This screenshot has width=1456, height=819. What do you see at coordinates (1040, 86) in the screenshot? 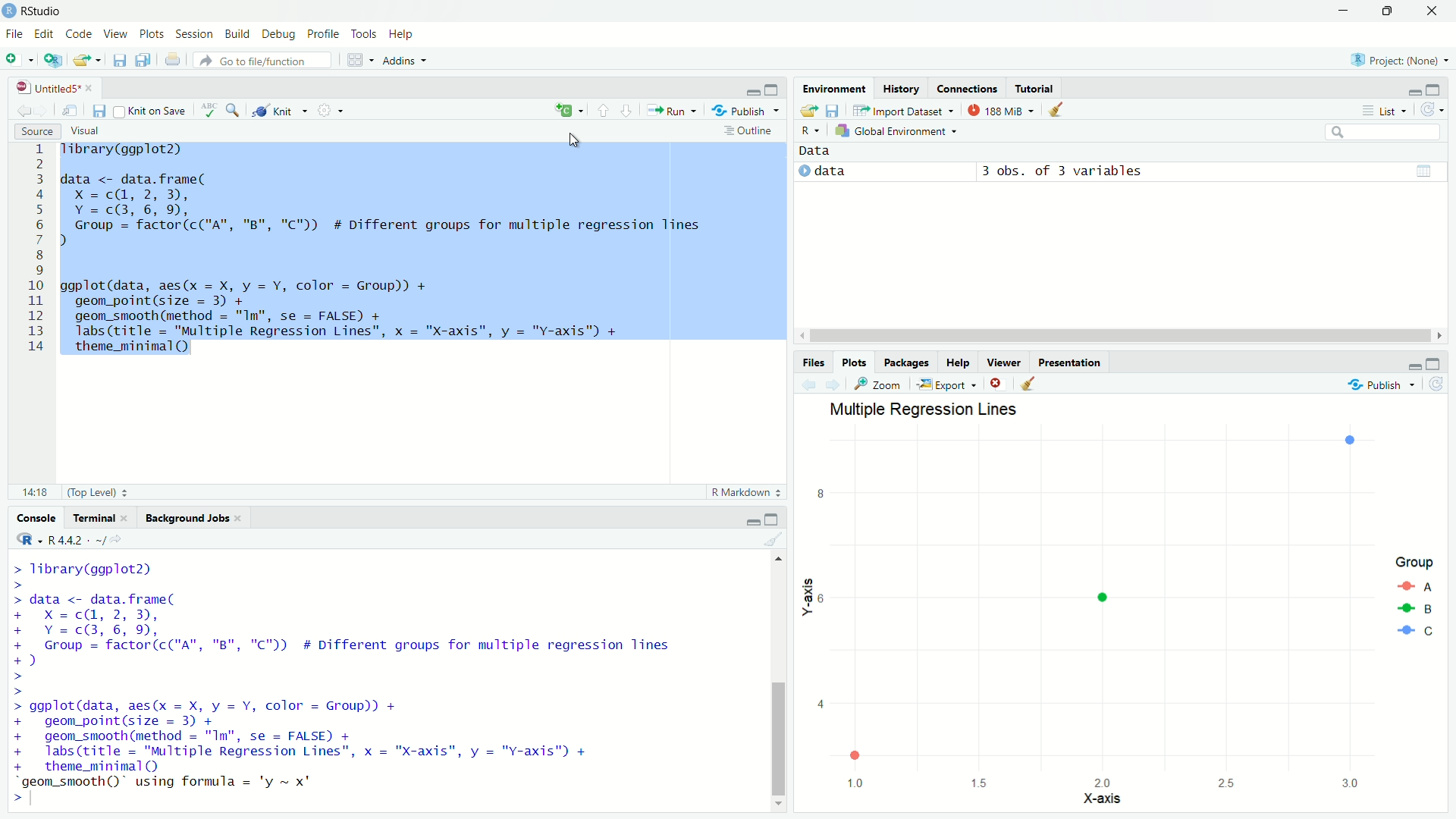
I see `Tutorial` at bounding box center [1040, 86].